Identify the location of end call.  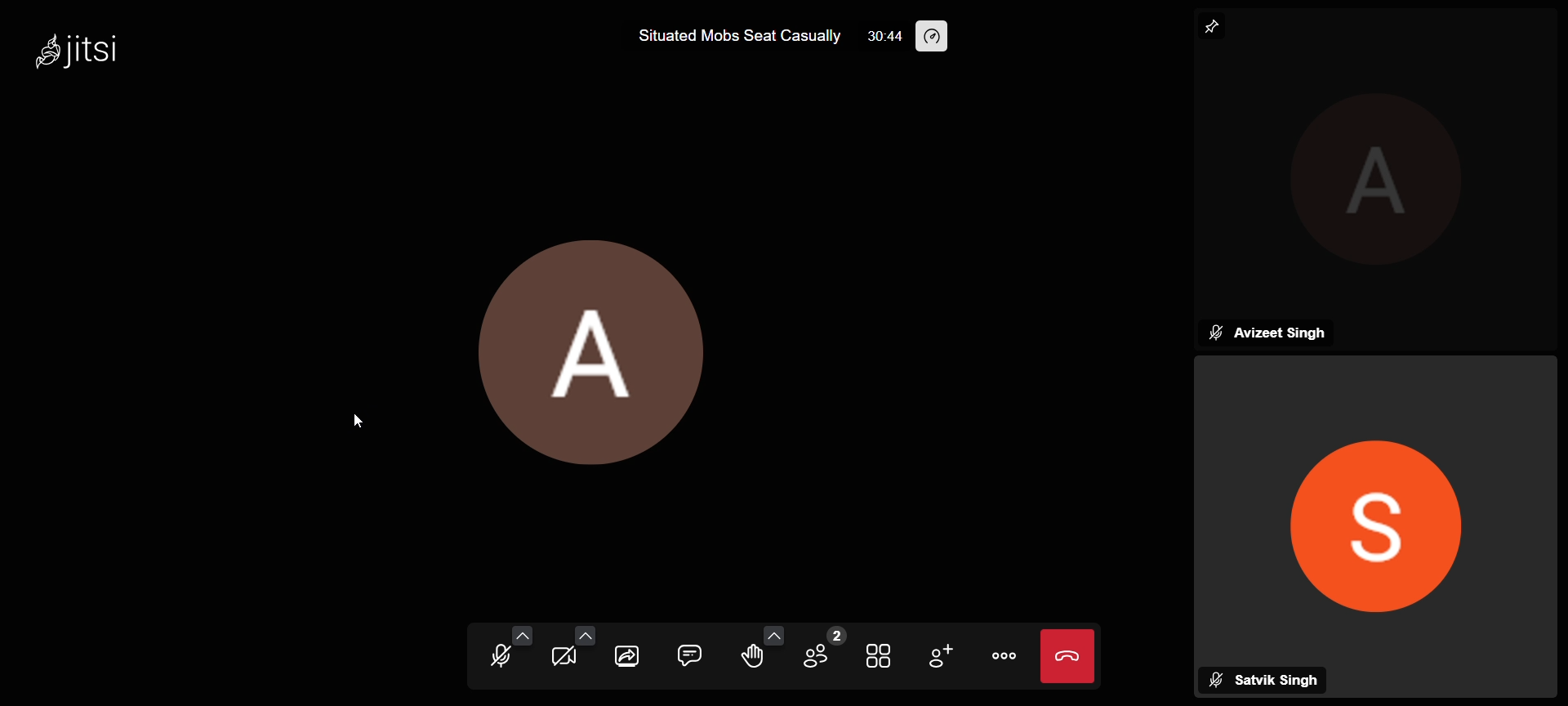
(1070, 655).